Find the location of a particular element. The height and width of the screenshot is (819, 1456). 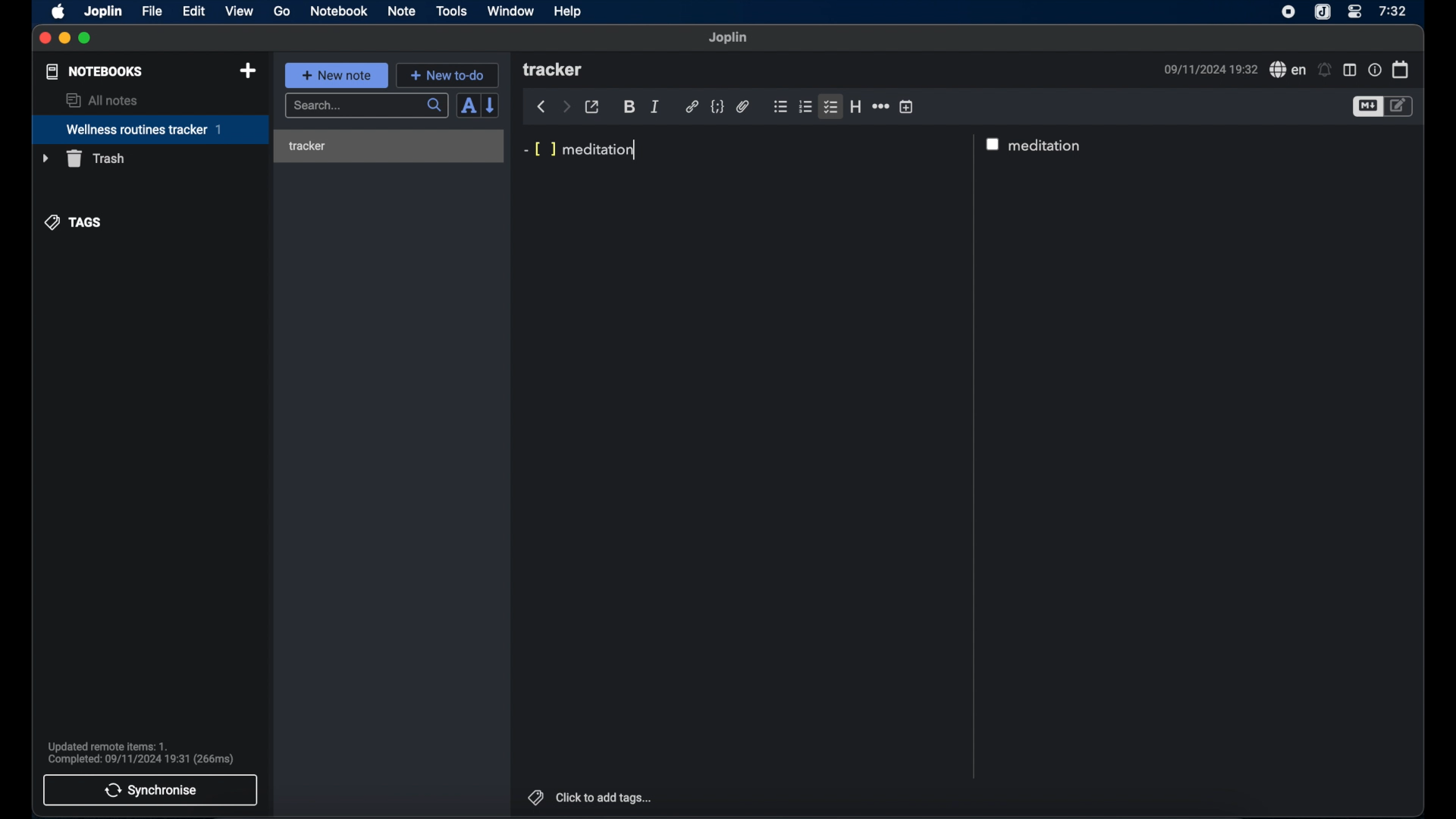

new notebook is located at coordinates (249, 71).